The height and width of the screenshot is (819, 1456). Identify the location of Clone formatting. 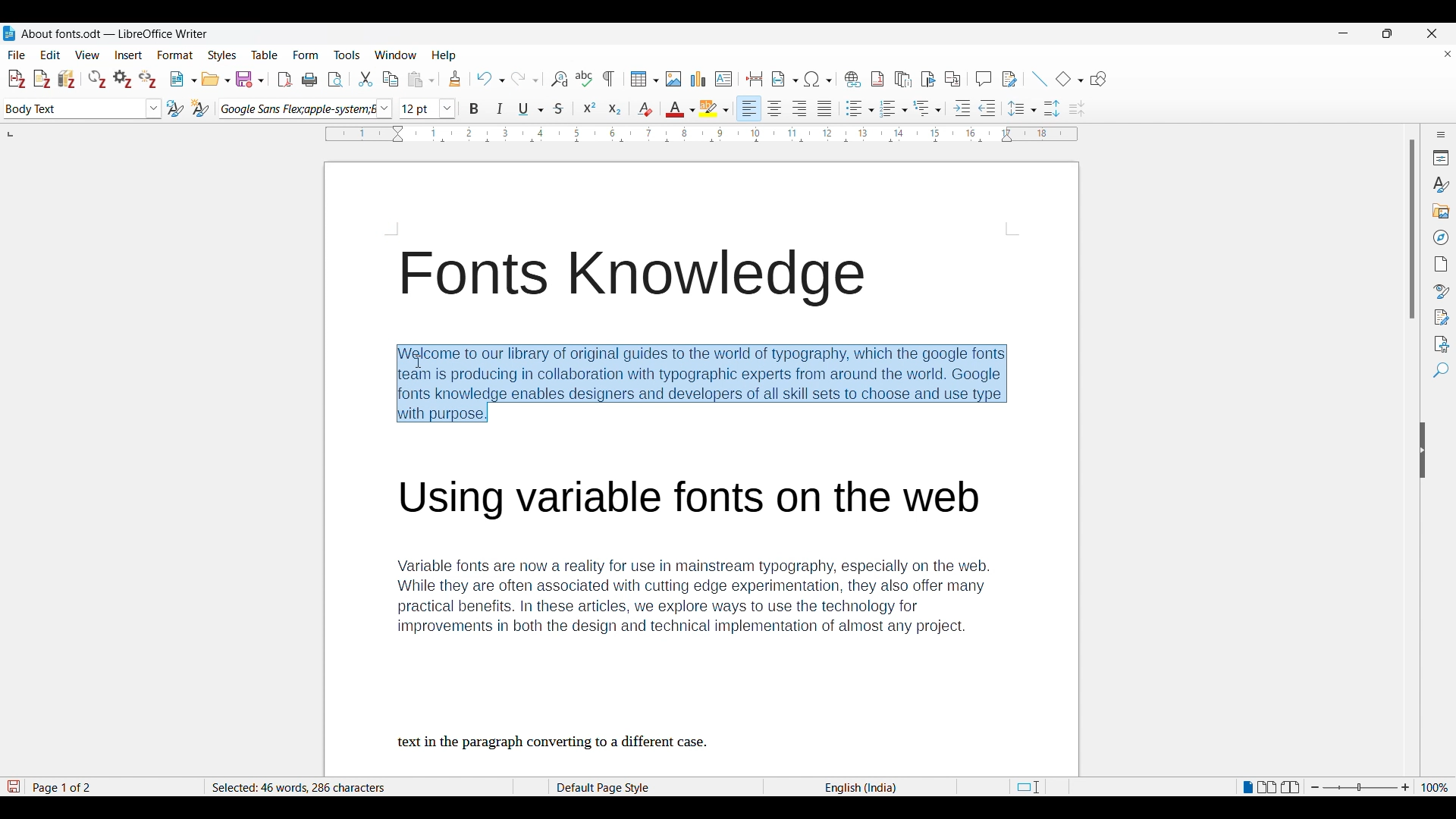
(455, 78).